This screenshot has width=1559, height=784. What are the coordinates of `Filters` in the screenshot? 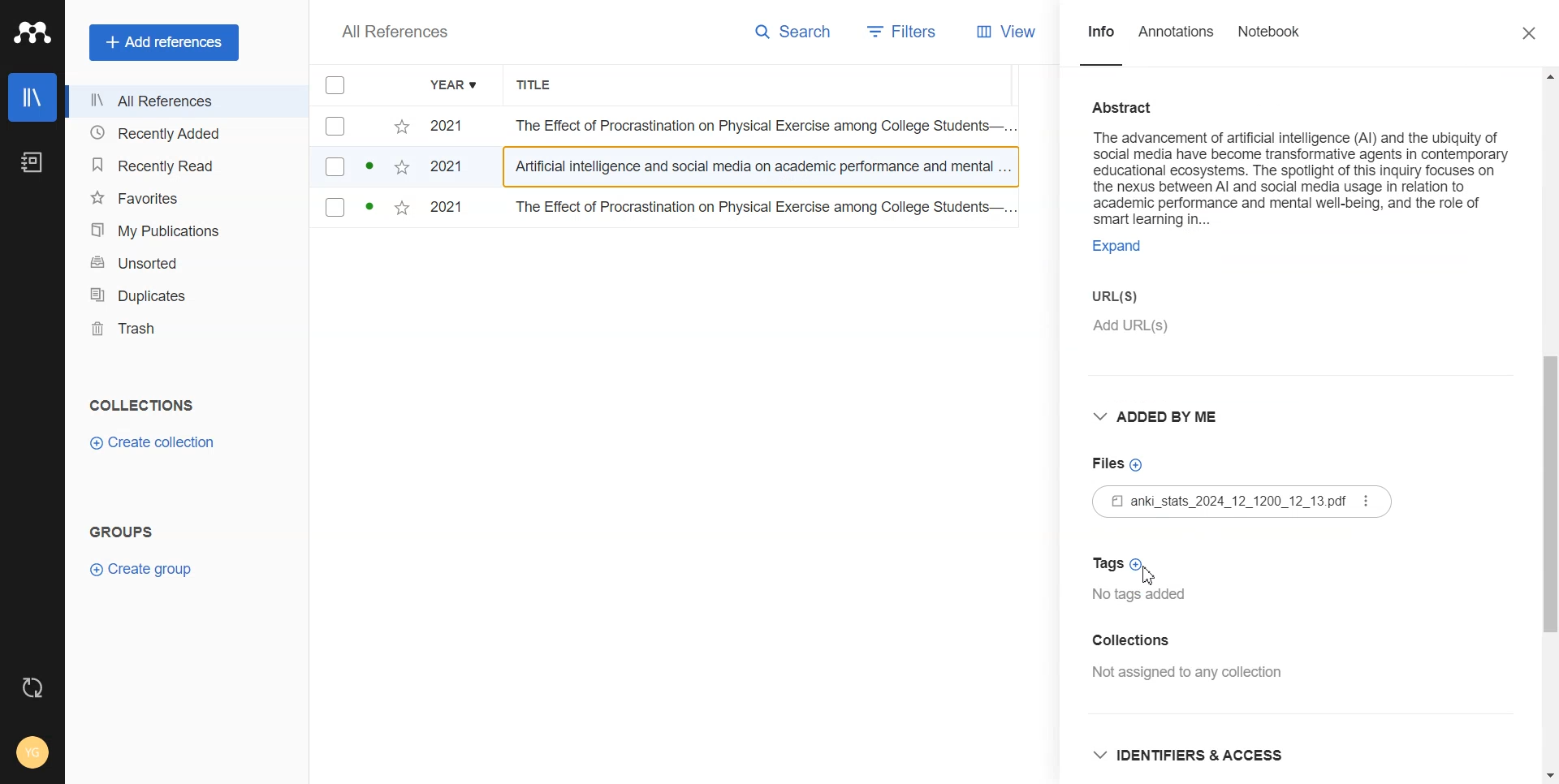 It's located at (899, 32).